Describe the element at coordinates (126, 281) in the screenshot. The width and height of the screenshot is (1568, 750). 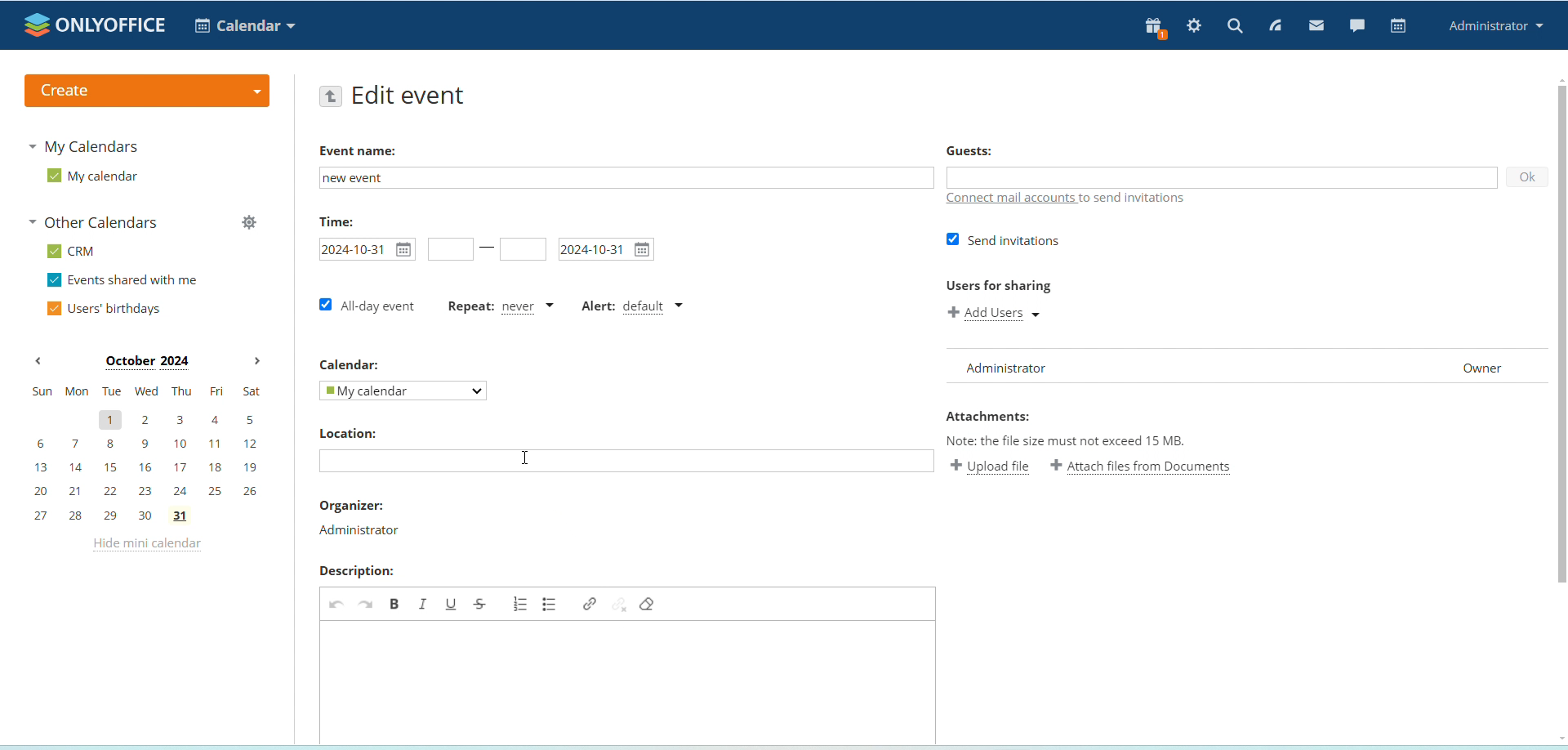
I see `events shared with me` at that location.